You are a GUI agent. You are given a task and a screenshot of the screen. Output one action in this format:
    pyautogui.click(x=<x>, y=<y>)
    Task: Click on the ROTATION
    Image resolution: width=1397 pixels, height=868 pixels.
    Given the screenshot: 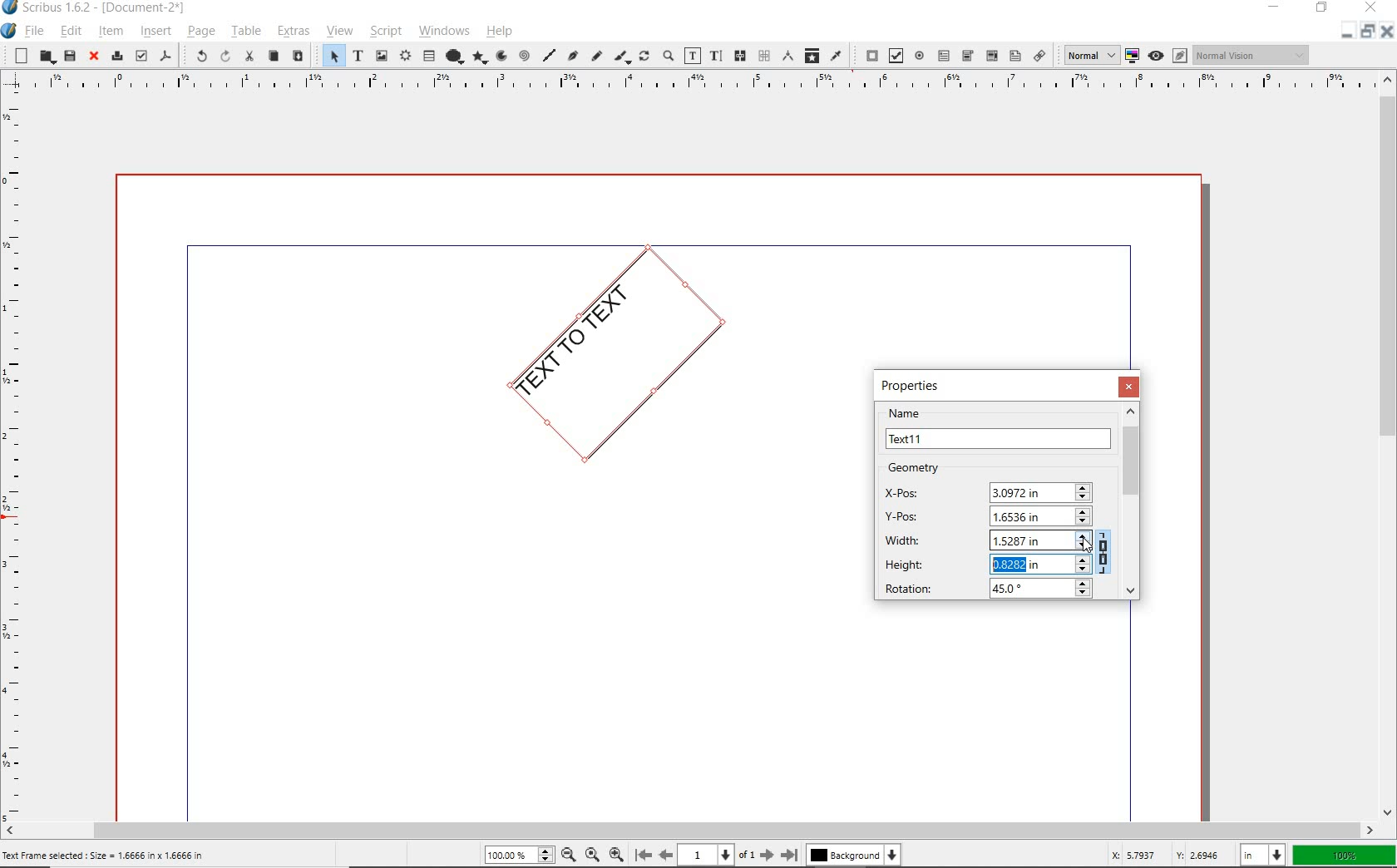 What is the action you would take?
    pyautogui.click(x=985, y=589)
    